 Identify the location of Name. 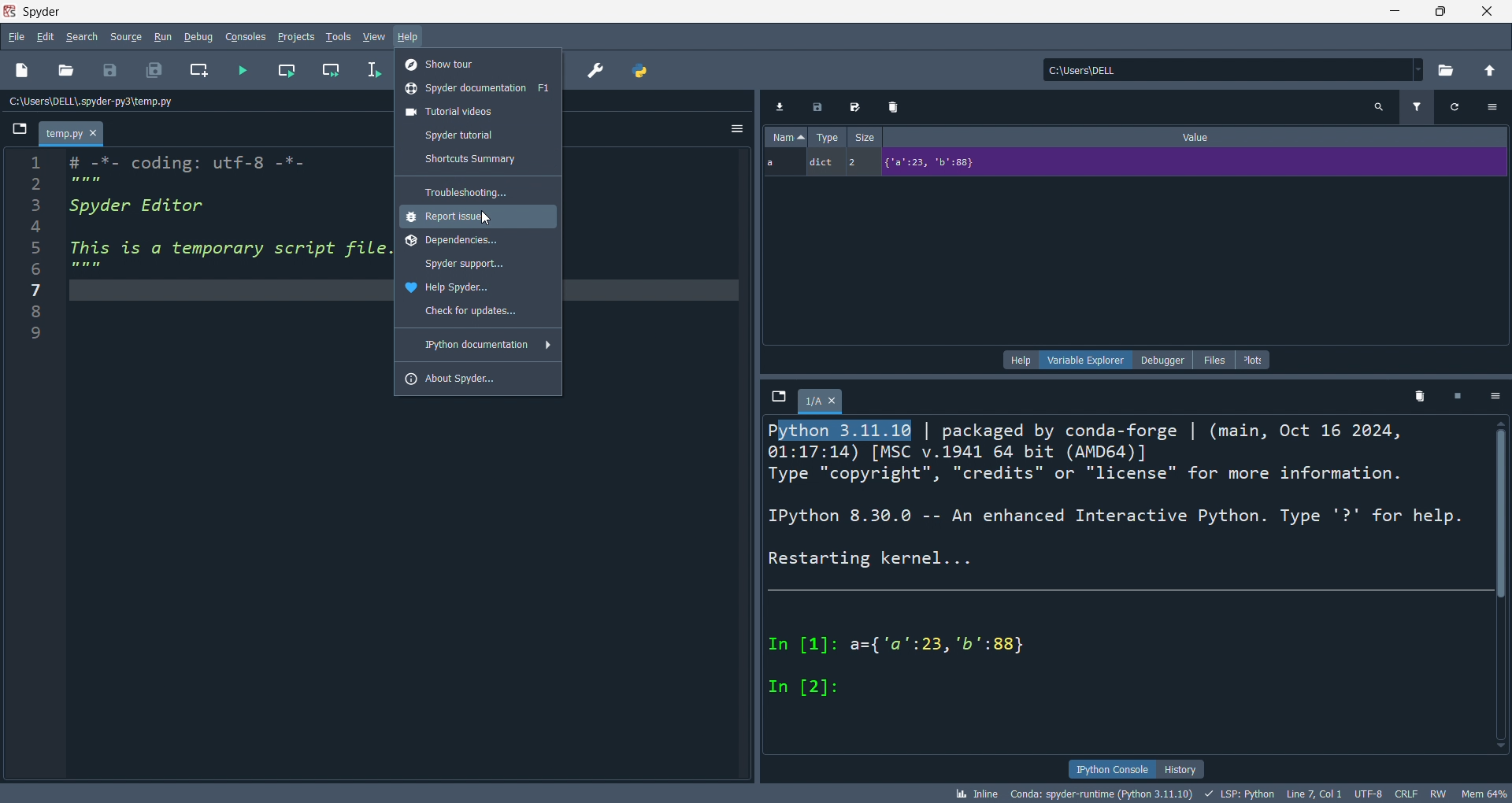
(785, 137).